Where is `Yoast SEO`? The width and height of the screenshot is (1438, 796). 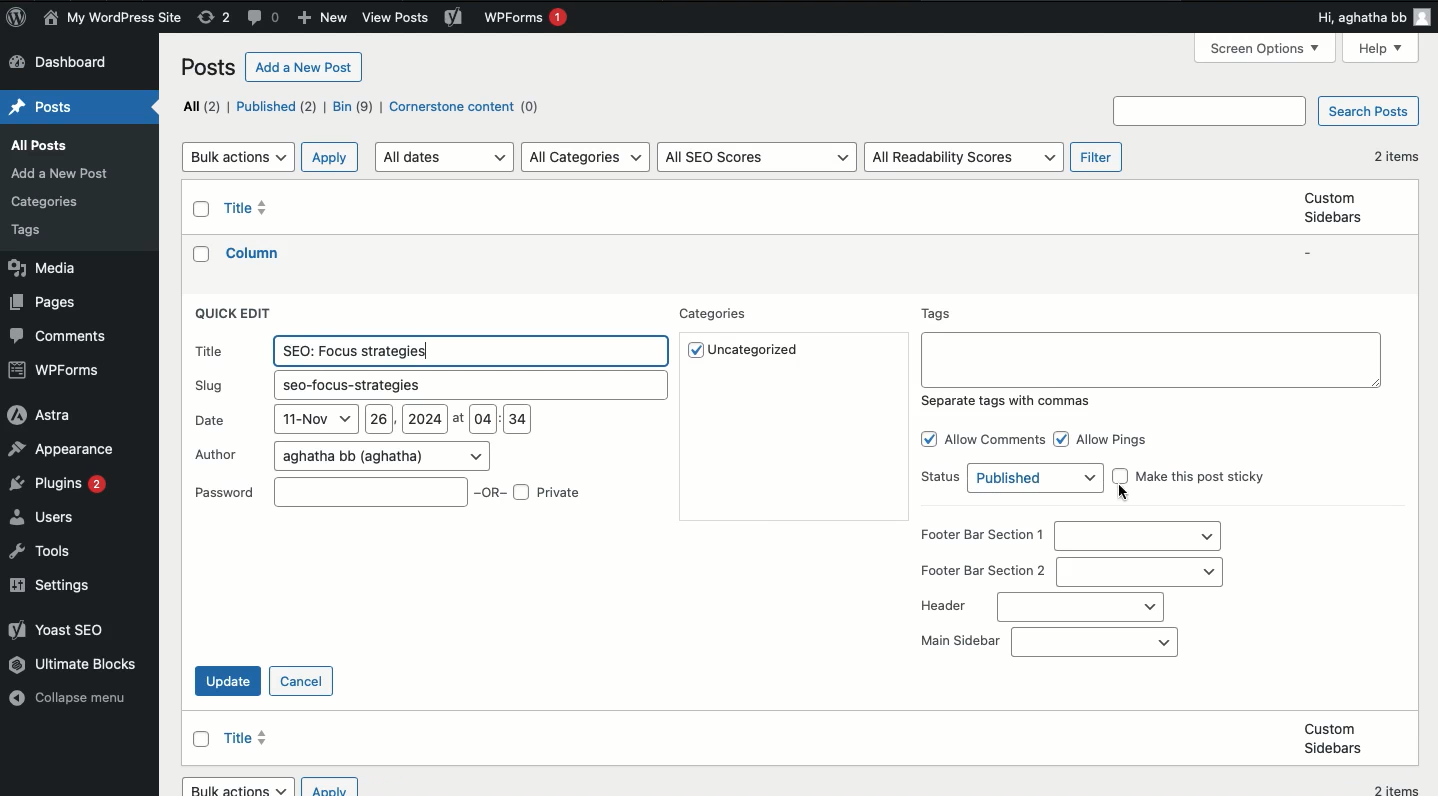 Yoast SEO is located at coordinates (56, 628).